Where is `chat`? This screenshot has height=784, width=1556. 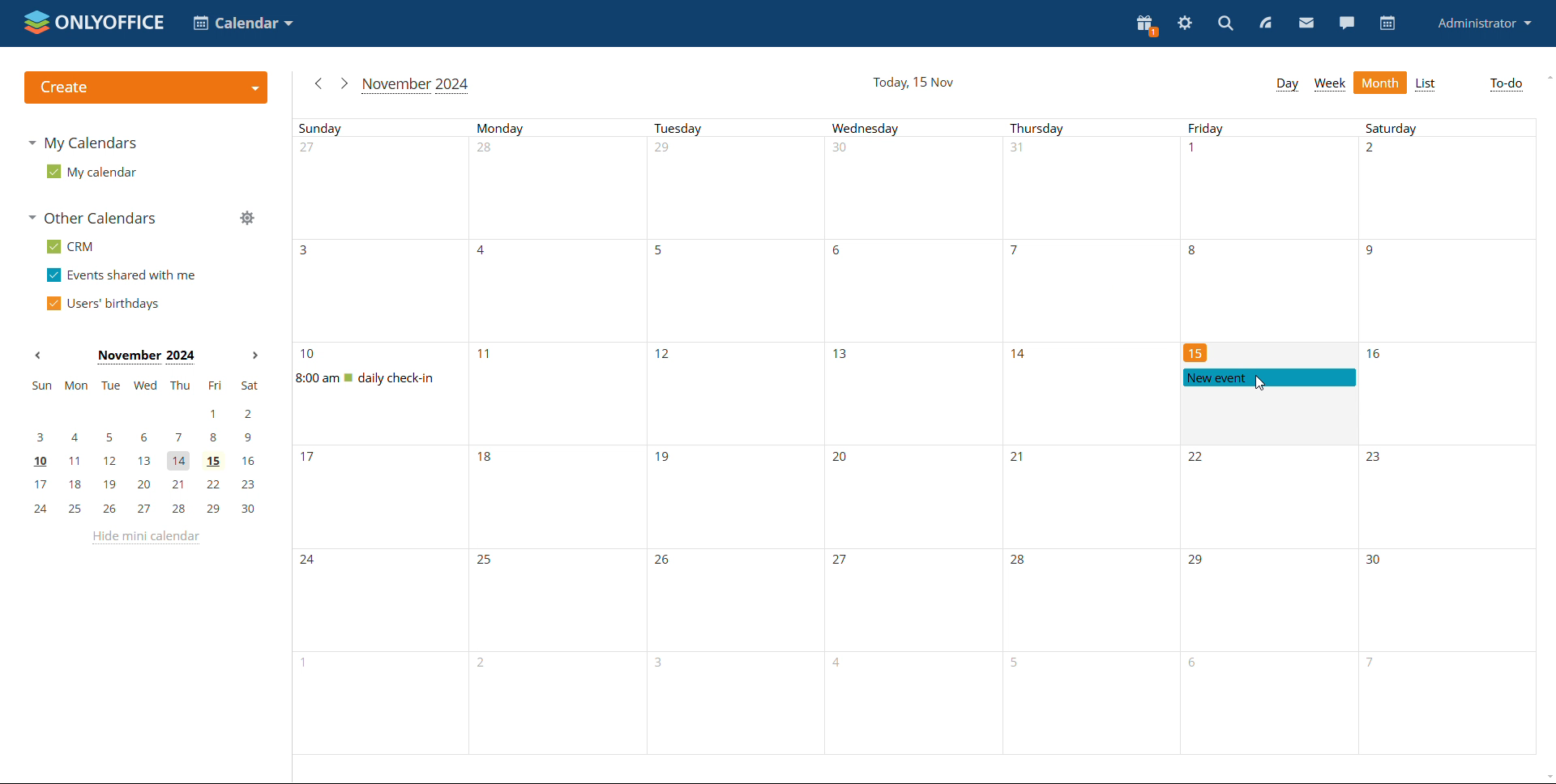 chat is located at coordinates (1345, 23).